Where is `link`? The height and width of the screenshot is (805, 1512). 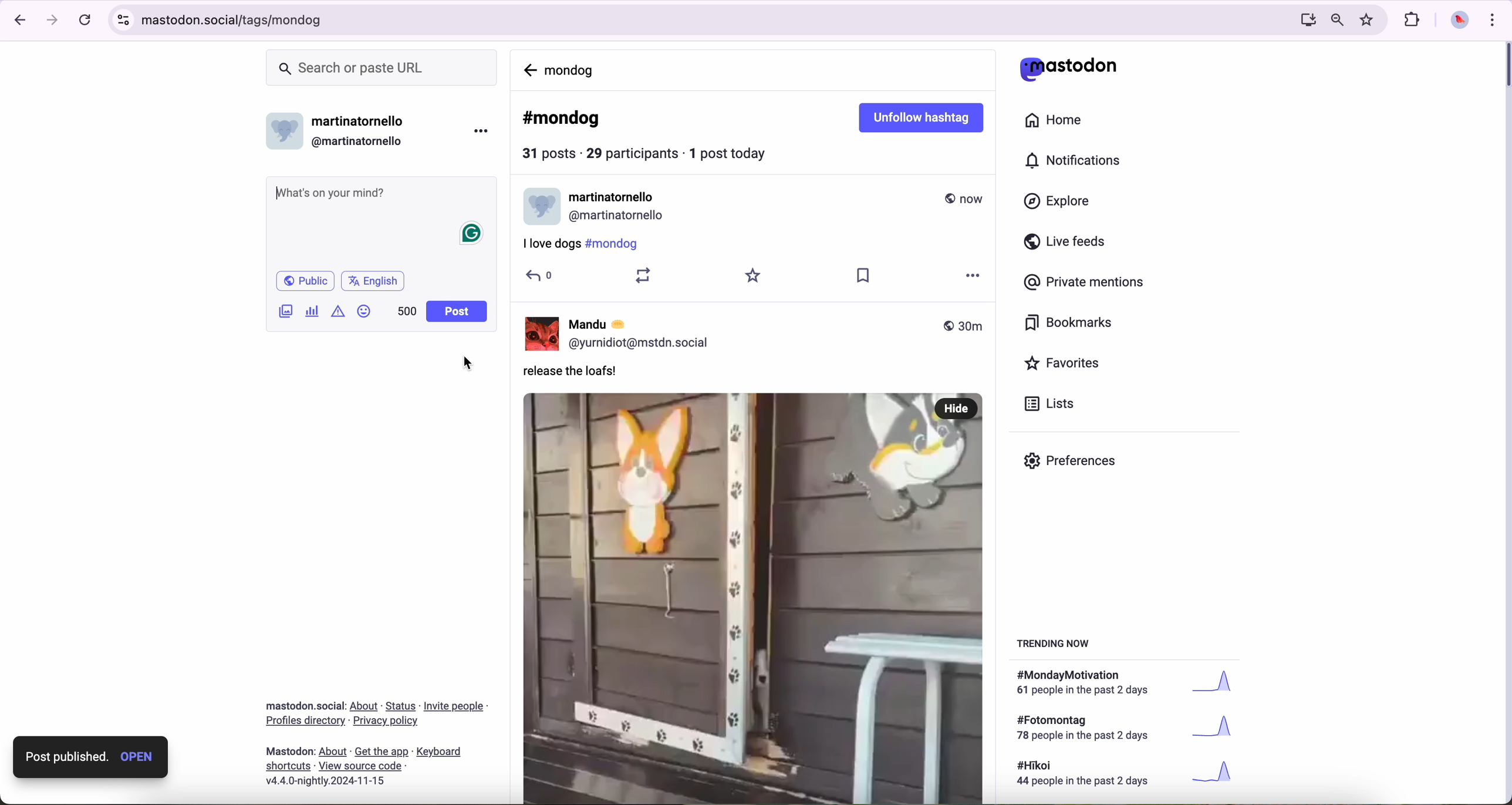 link is located at coordinates (333, 752).